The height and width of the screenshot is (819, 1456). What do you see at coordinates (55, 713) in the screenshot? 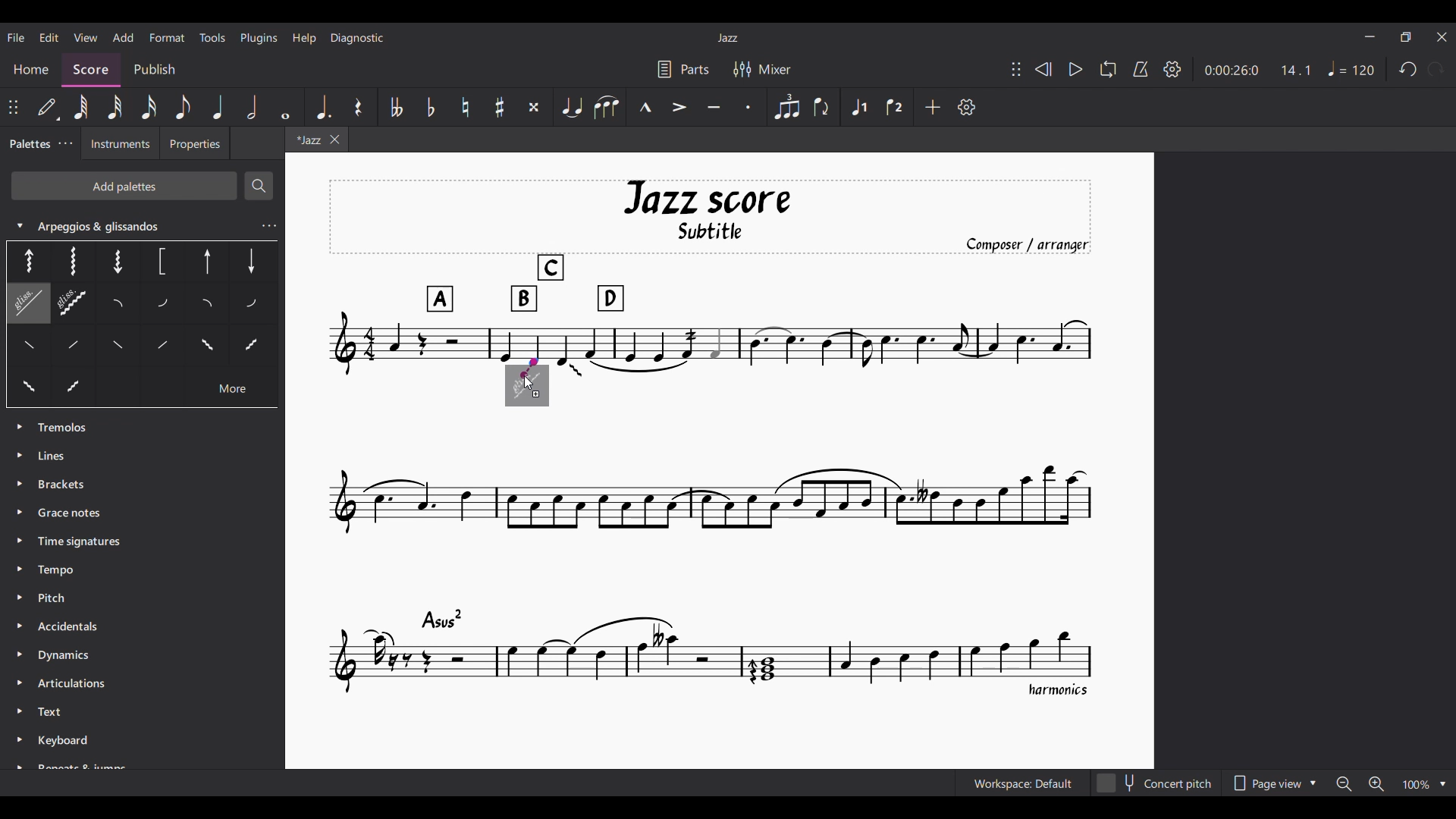
I see `Text` at bounding box center [55, 713].